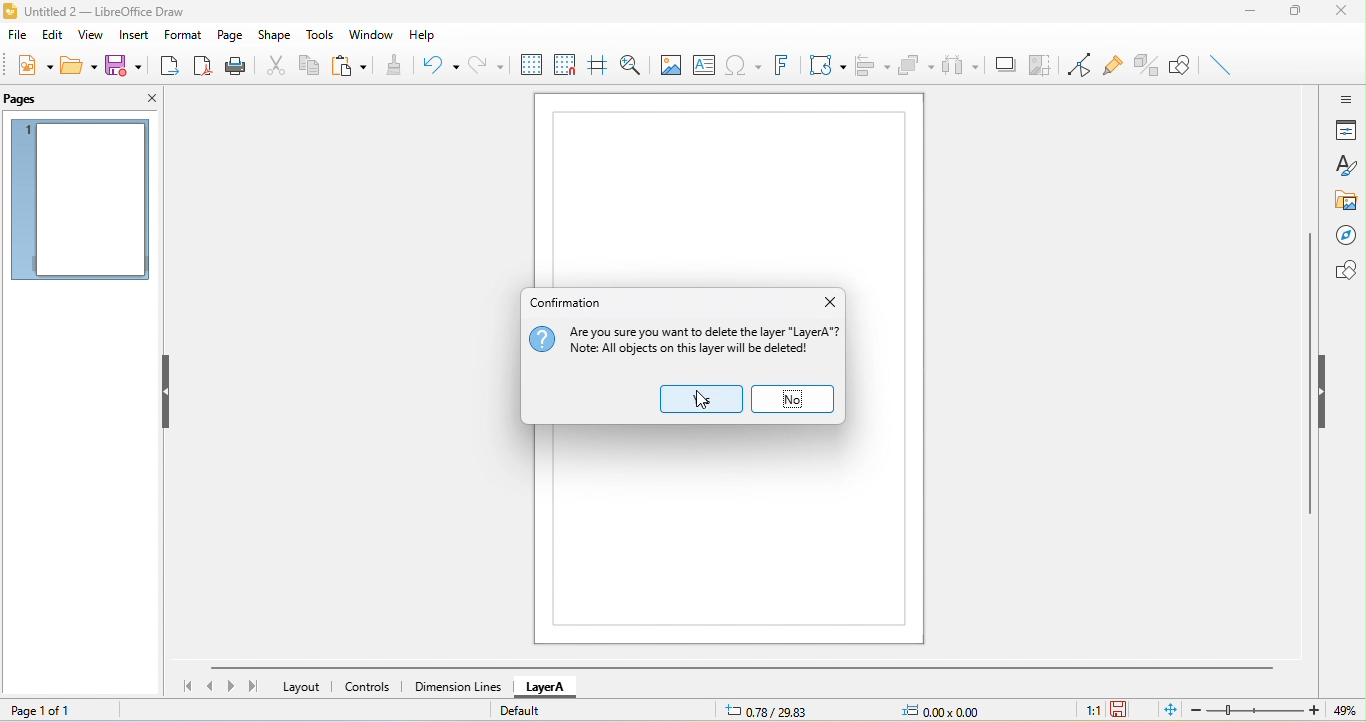  Describe the element at coordinates (570, 304) in the screenshot. I see `conformation` at that location.